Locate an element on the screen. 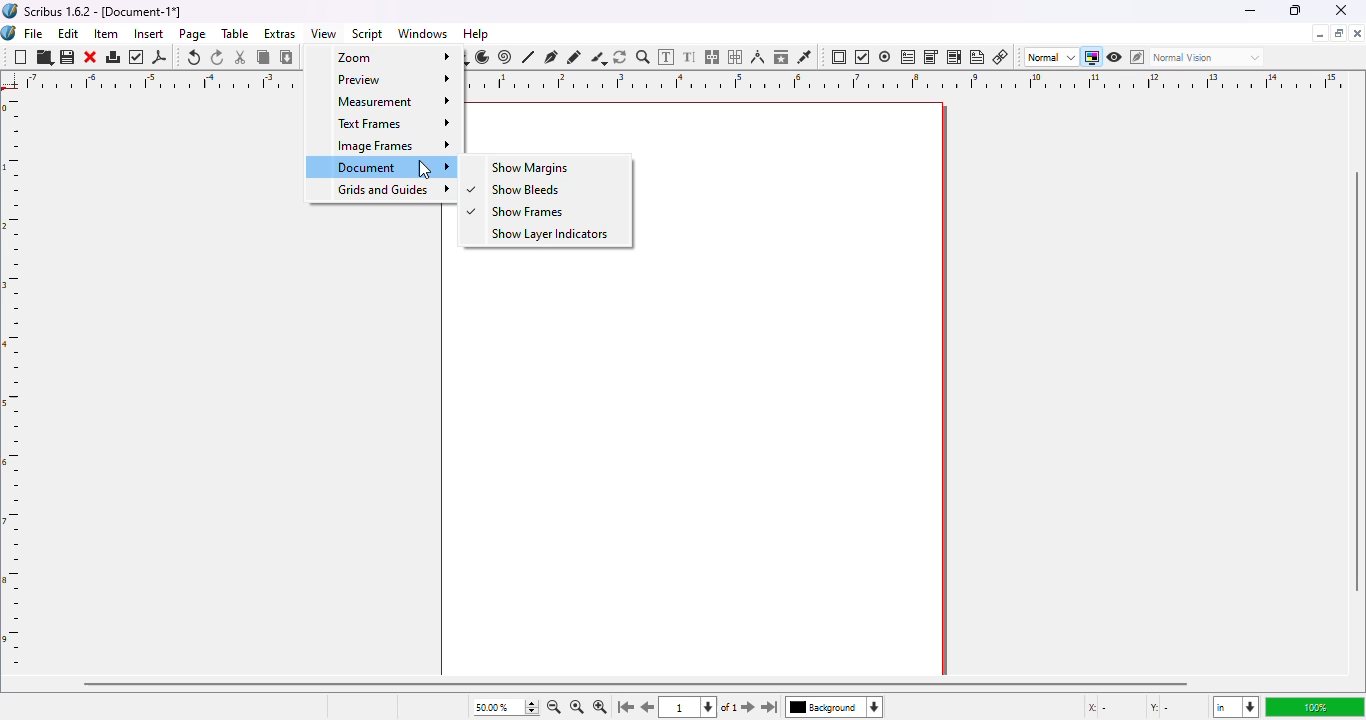 This screenshot has width=1366, height=720. zoom in by the stepping value in tools preferences is located at coordinates (599, 708).